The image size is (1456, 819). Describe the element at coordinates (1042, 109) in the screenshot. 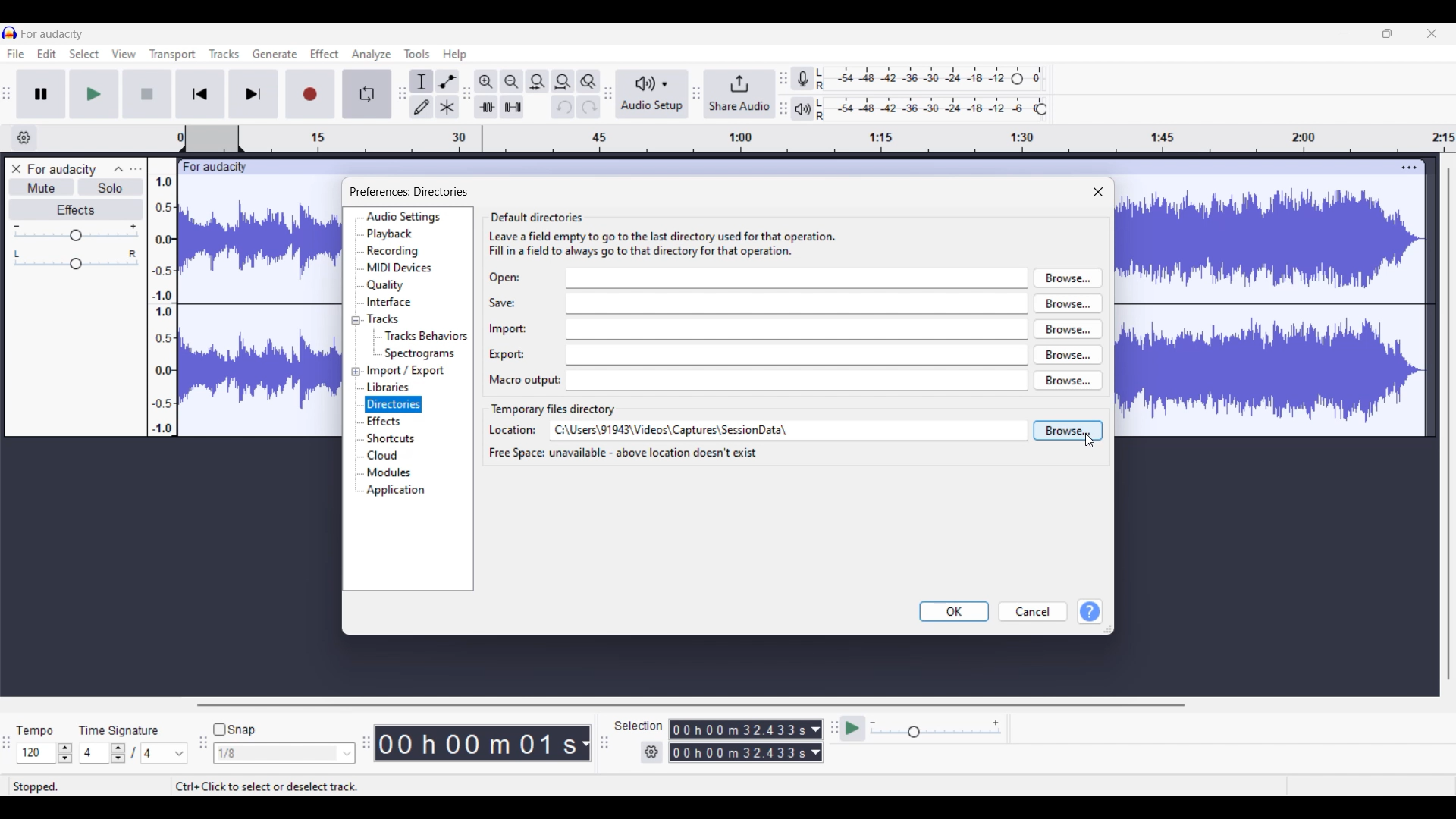

I see `Header to change playback level` at that location.